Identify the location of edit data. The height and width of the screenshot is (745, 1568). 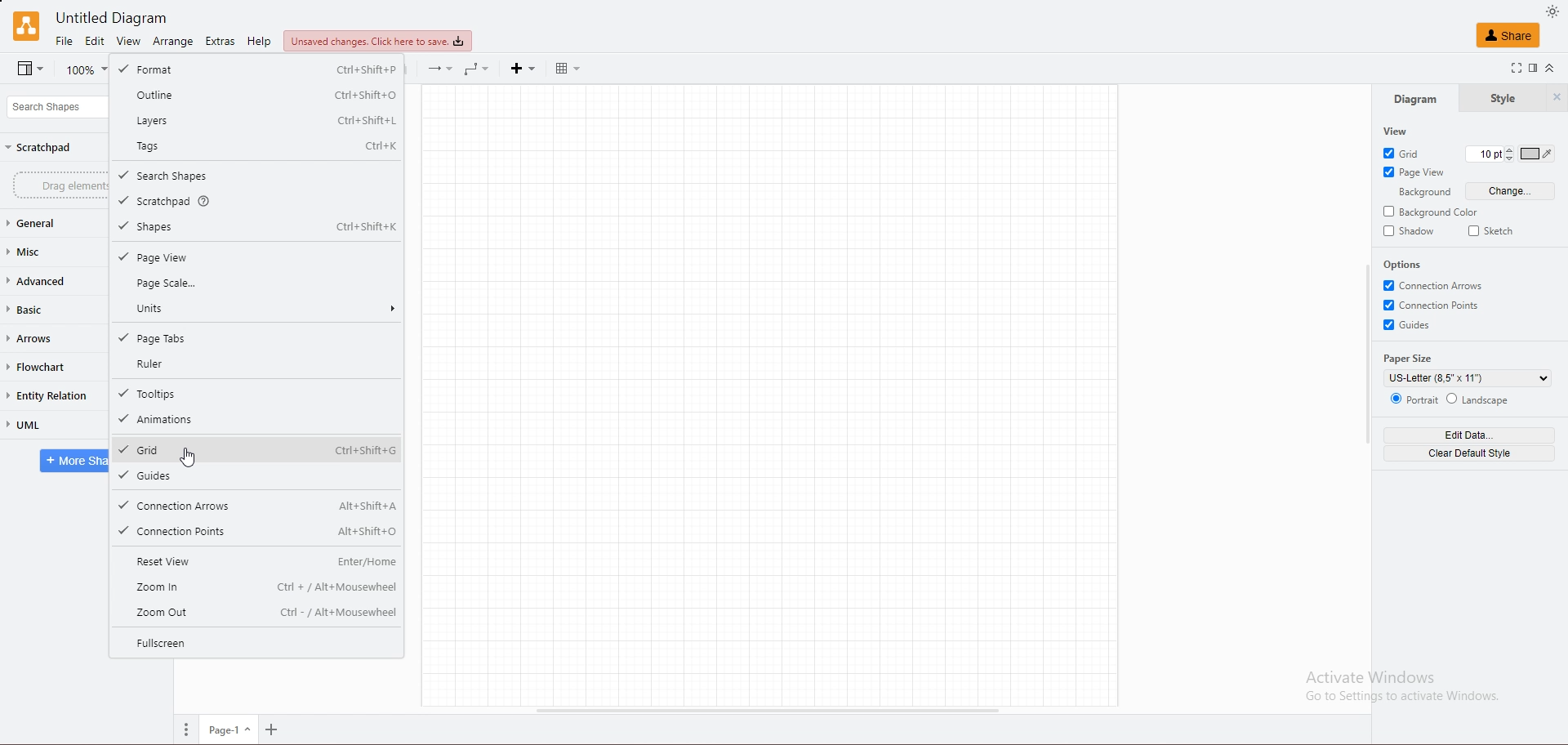
(1470, 435).